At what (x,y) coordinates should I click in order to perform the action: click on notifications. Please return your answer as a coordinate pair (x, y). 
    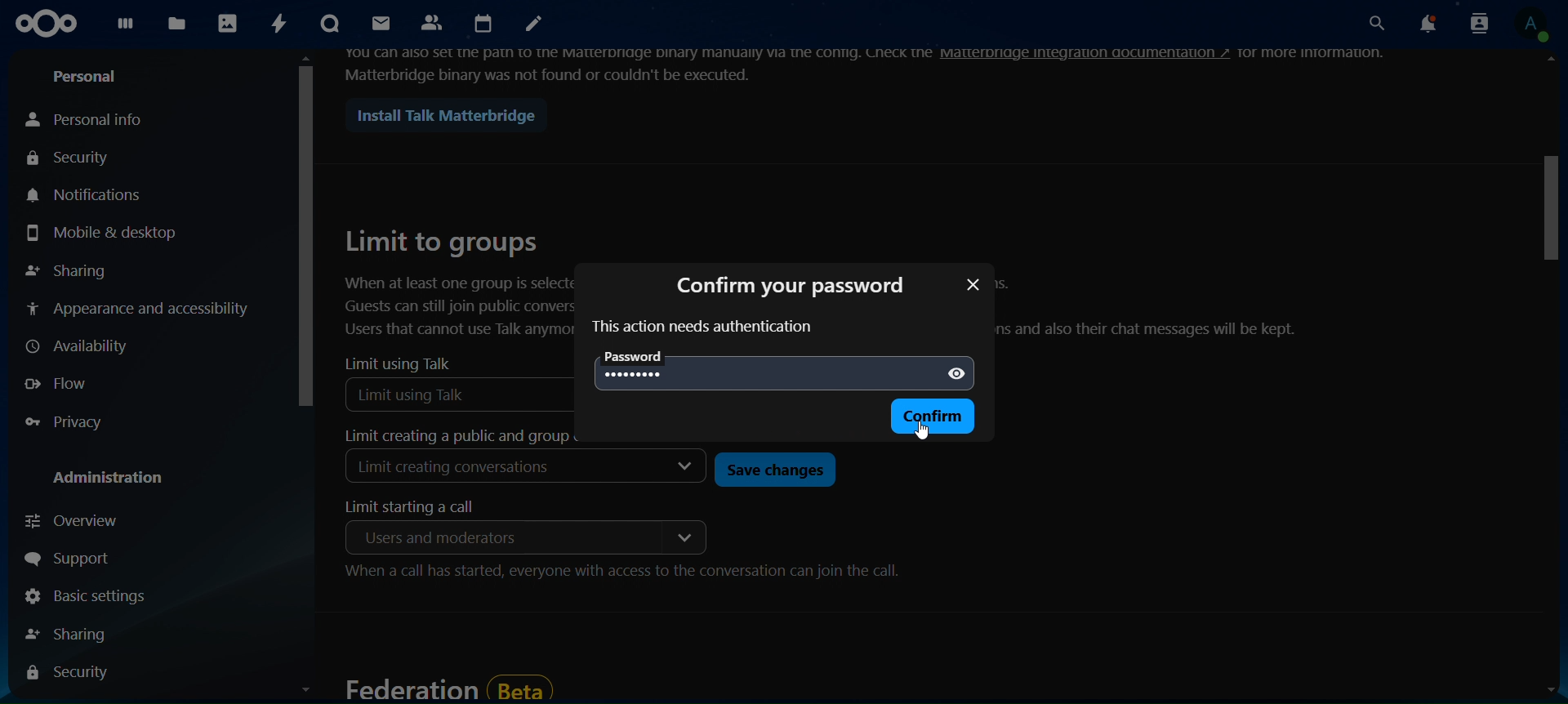
    Looking at the image, I should click on (91, 194).